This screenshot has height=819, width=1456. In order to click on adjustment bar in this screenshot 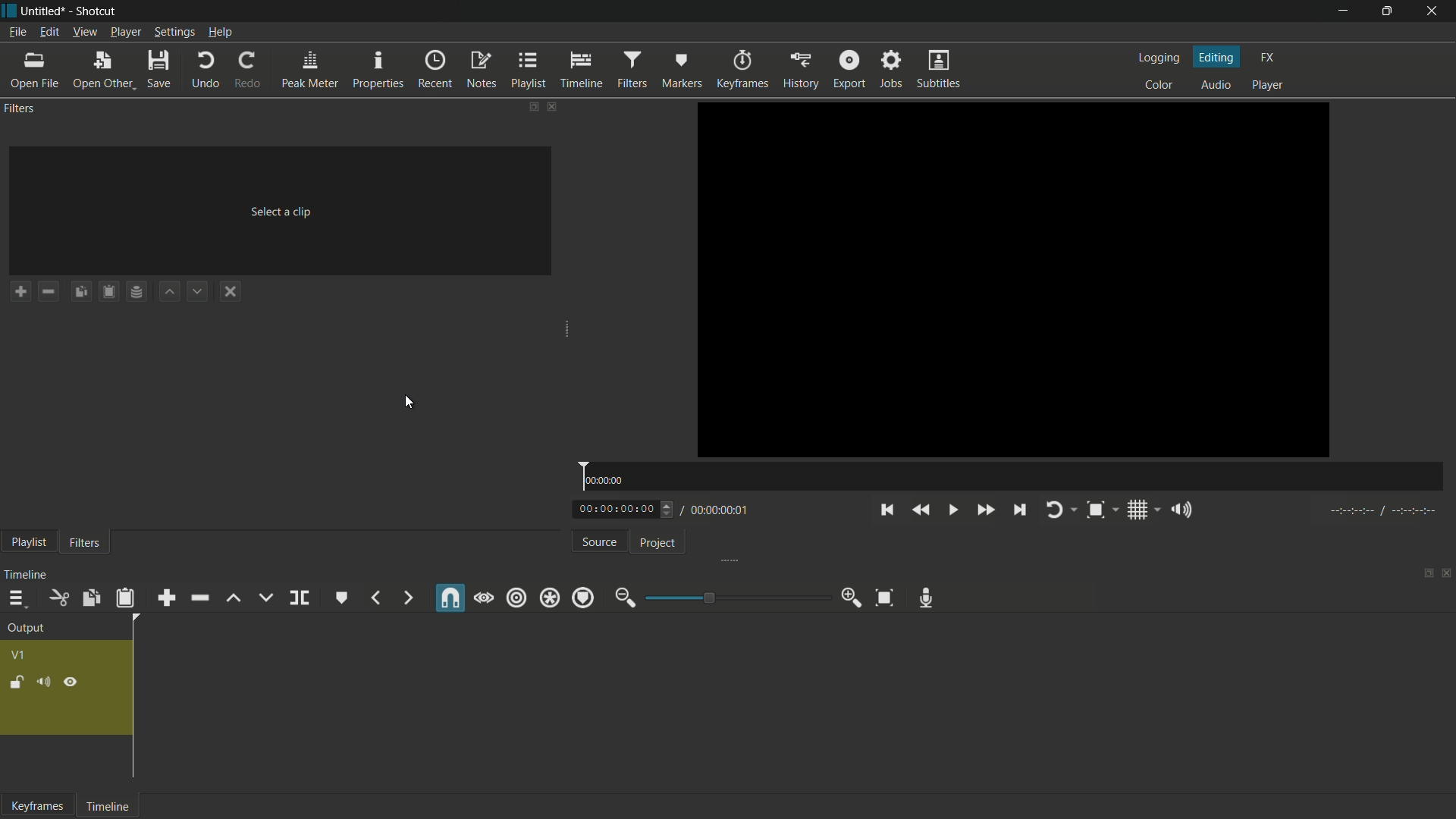, I will do `click(732, 598)`.